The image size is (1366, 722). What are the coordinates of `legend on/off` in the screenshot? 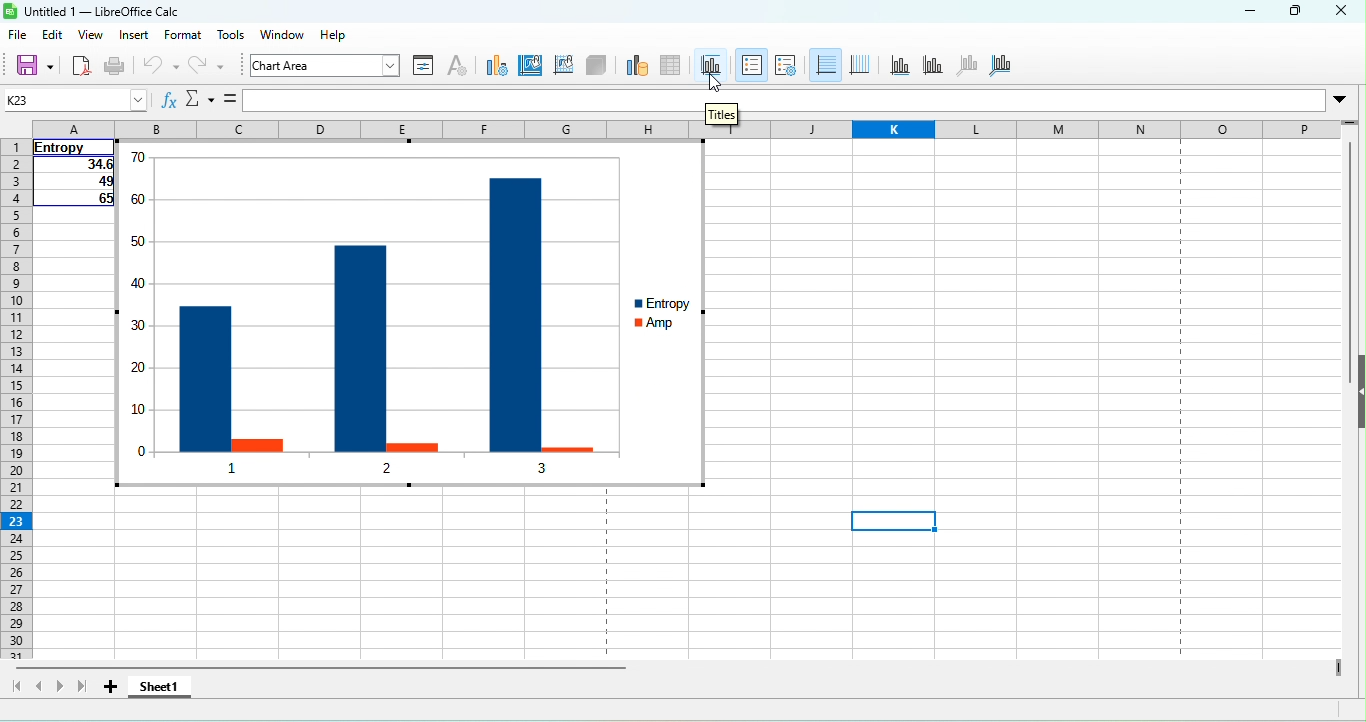 It's located at (752, 65).